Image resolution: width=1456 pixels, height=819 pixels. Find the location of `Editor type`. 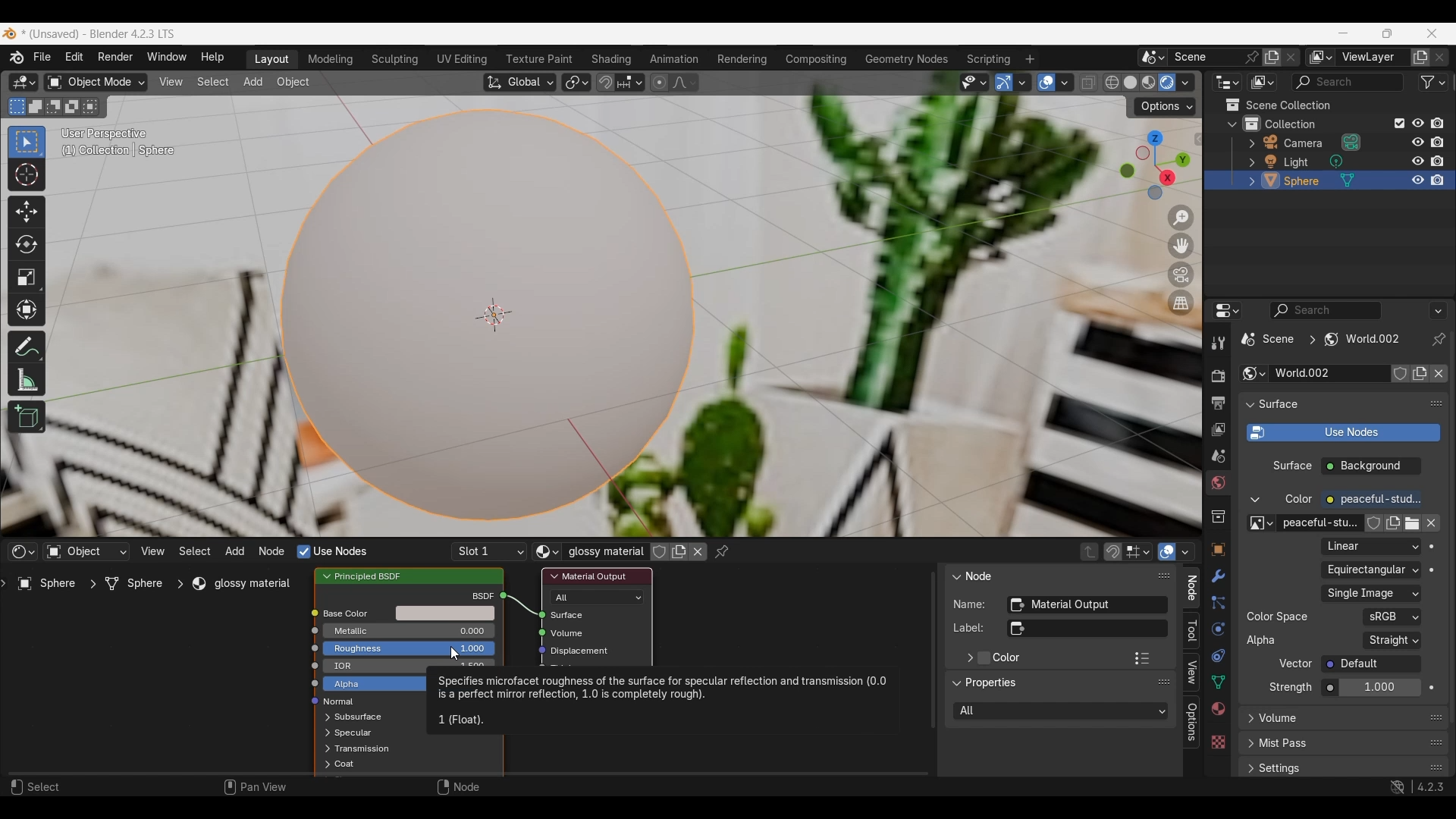

Editor type is located at coordinates (23, 551).